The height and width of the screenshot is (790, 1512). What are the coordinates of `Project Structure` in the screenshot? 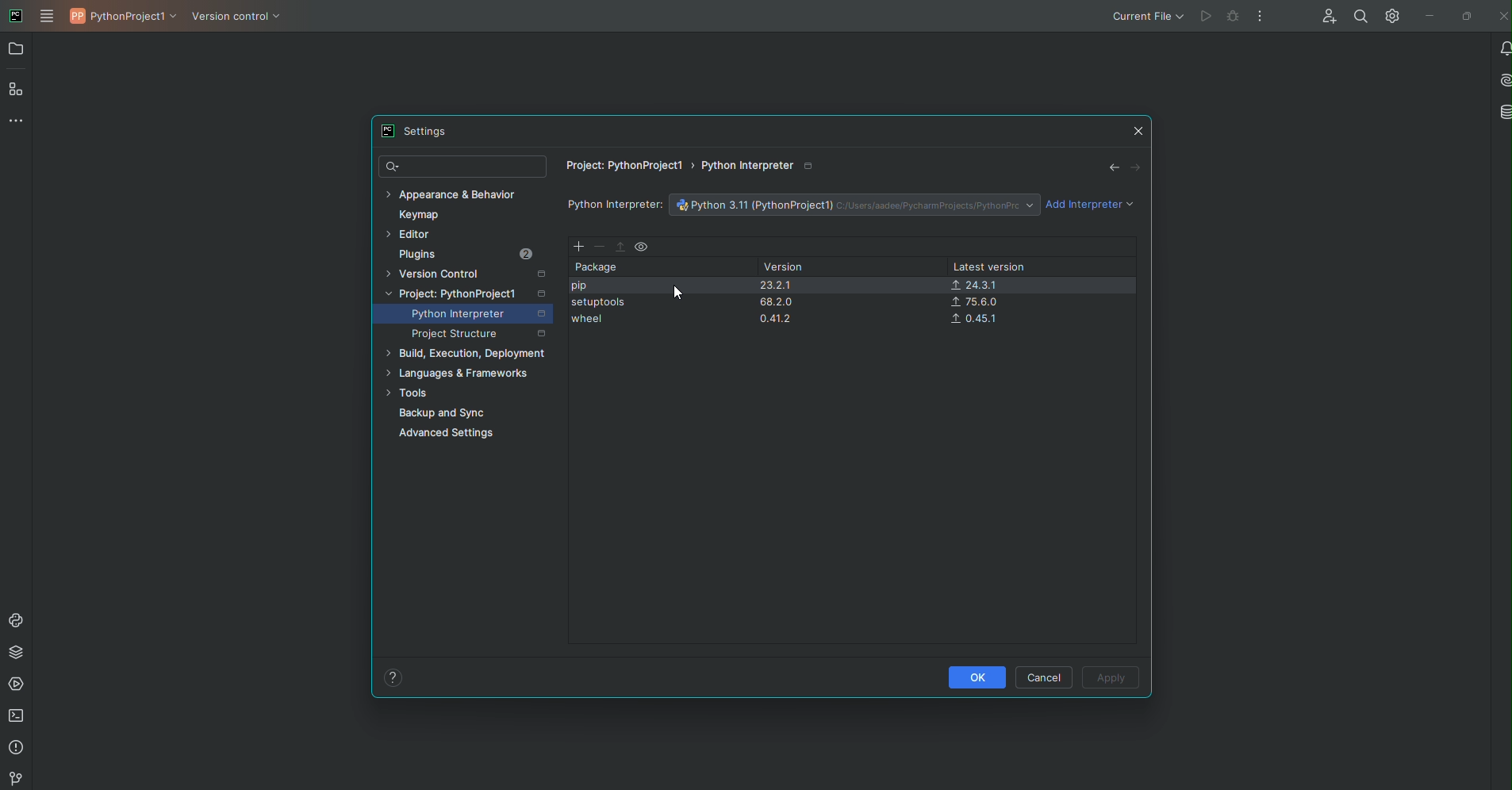 It's located at (479, 336).